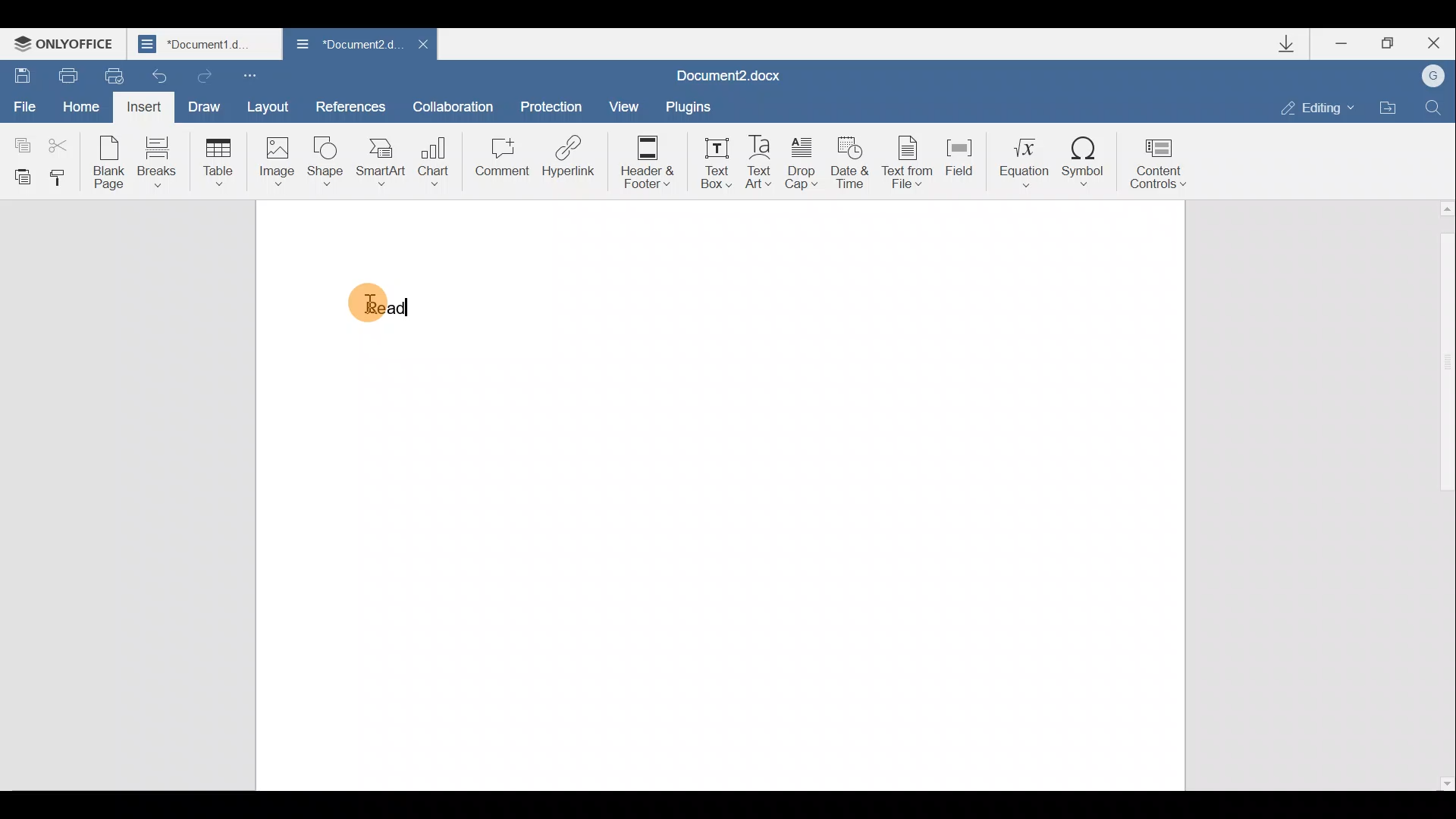 The height and width of the screenshot is (819, 1456). I want to click on Working area, so click(833, 493).